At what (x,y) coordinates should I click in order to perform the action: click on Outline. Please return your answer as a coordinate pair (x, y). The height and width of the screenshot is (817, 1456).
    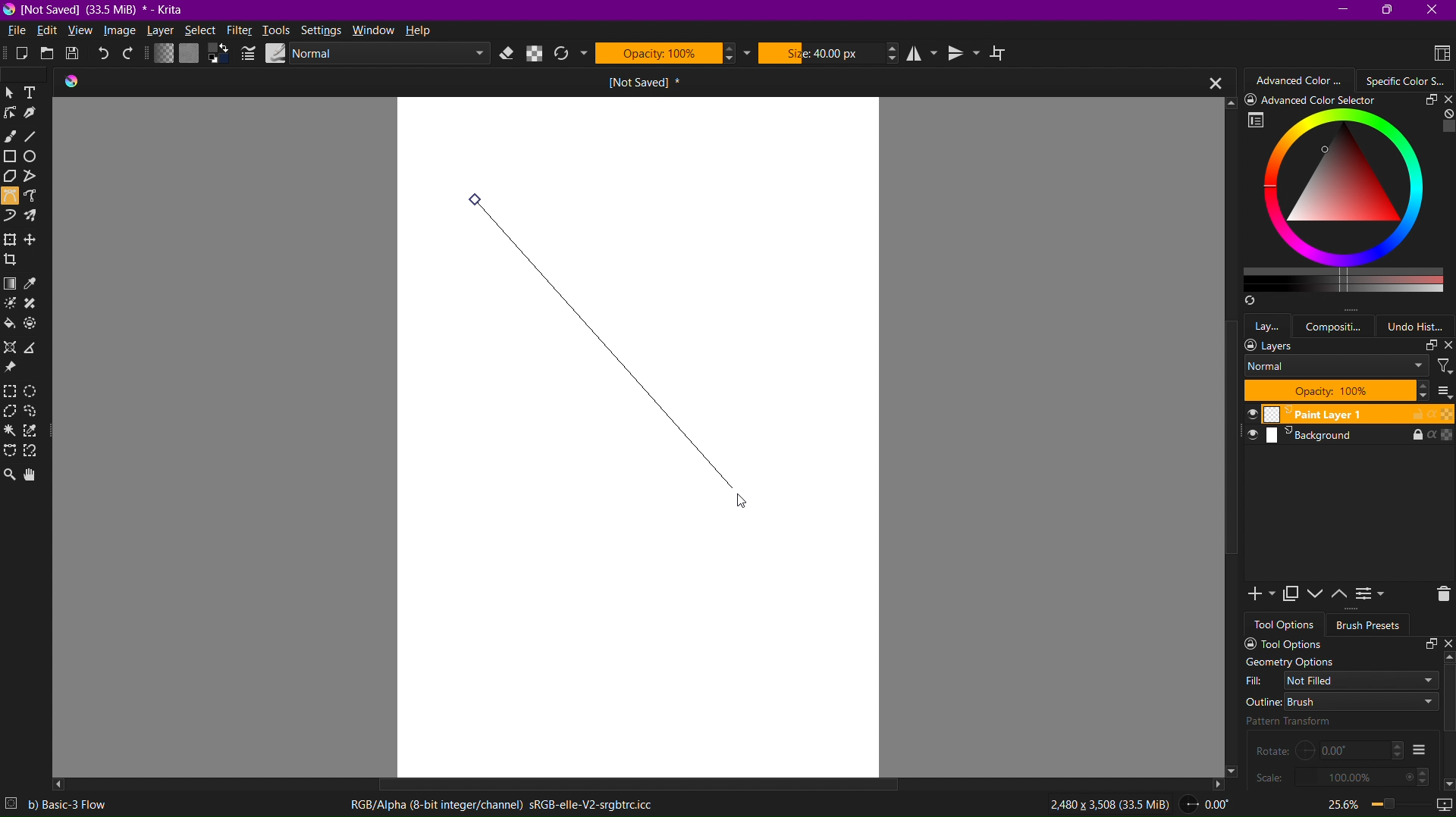
    Looking at the image, I should click on (1341, 701).